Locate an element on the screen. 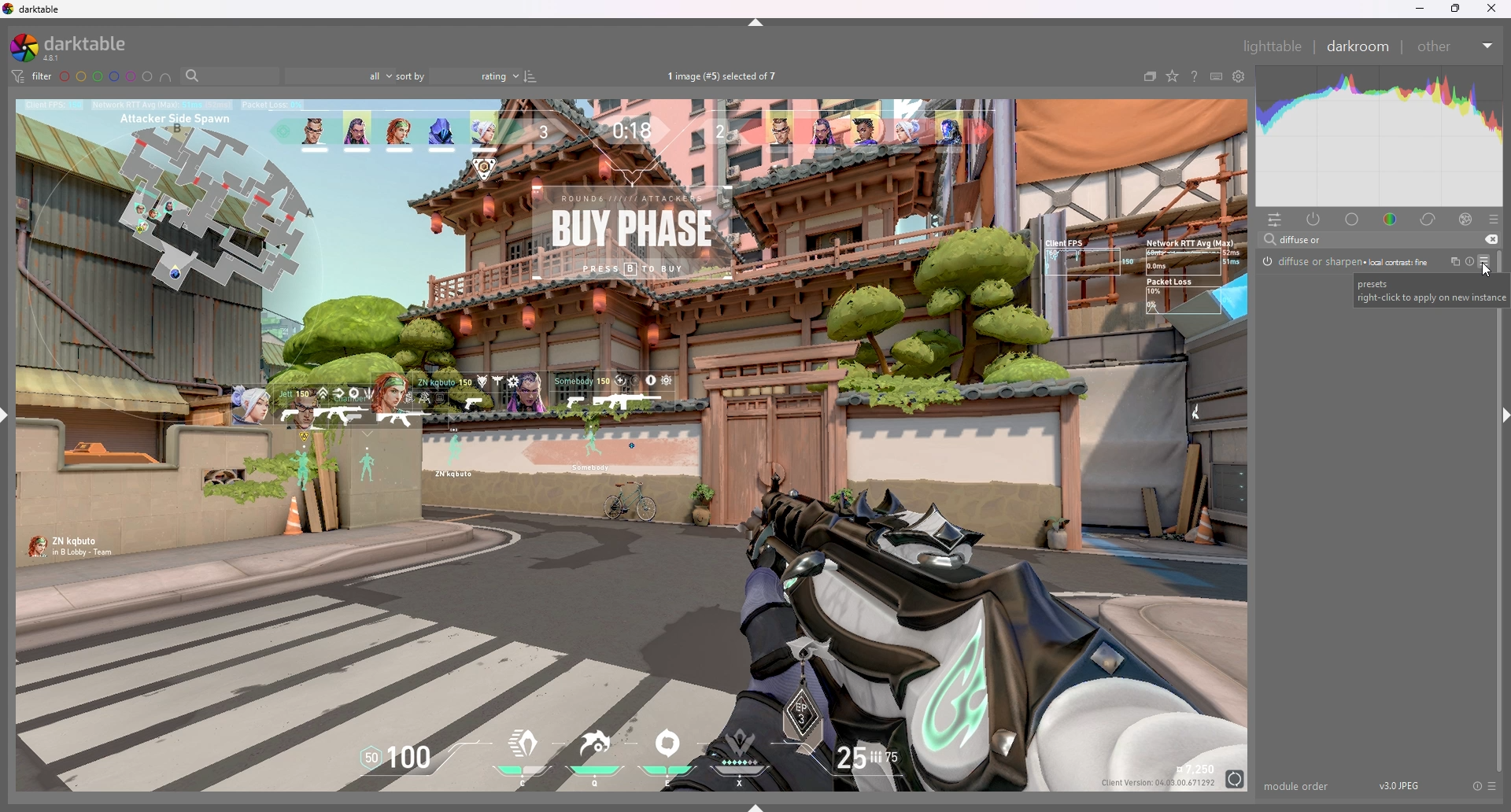 This screenshot has width=1511, height=812. collapse grouped images is located at coordinates (1151, 76).